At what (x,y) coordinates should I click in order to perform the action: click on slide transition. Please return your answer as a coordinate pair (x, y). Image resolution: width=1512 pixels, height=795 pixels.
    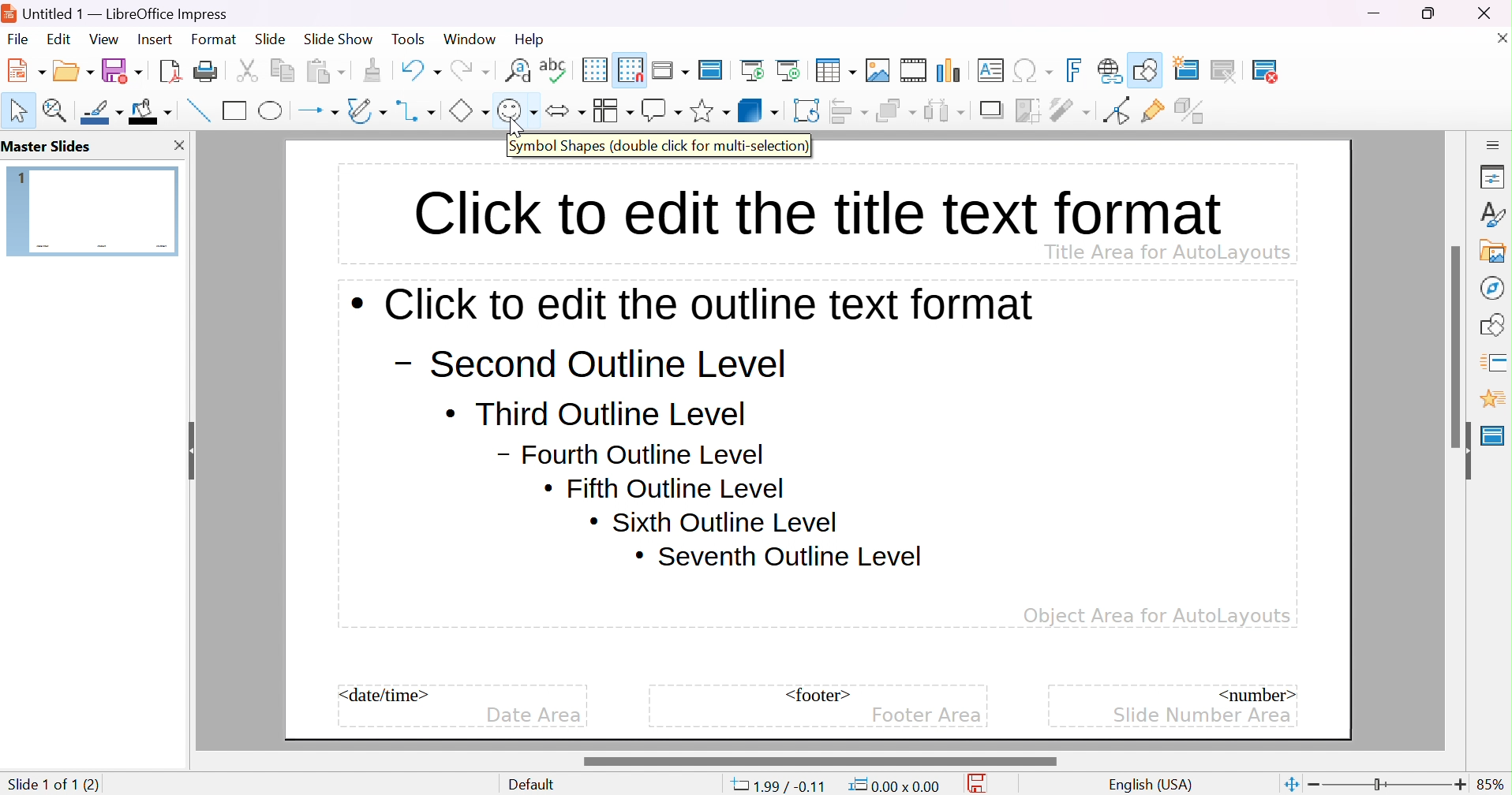
    Looking at the image, I should click on (1496, 360).